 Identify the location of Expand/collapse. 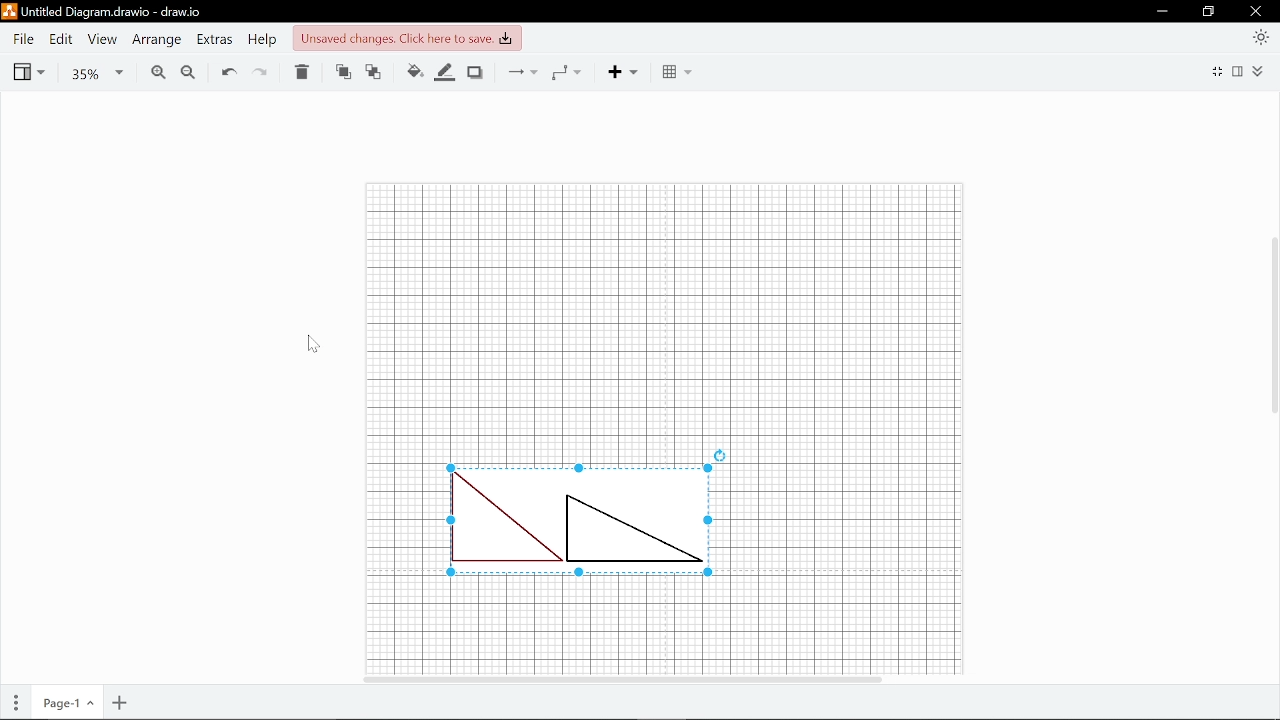
(1262, 73).